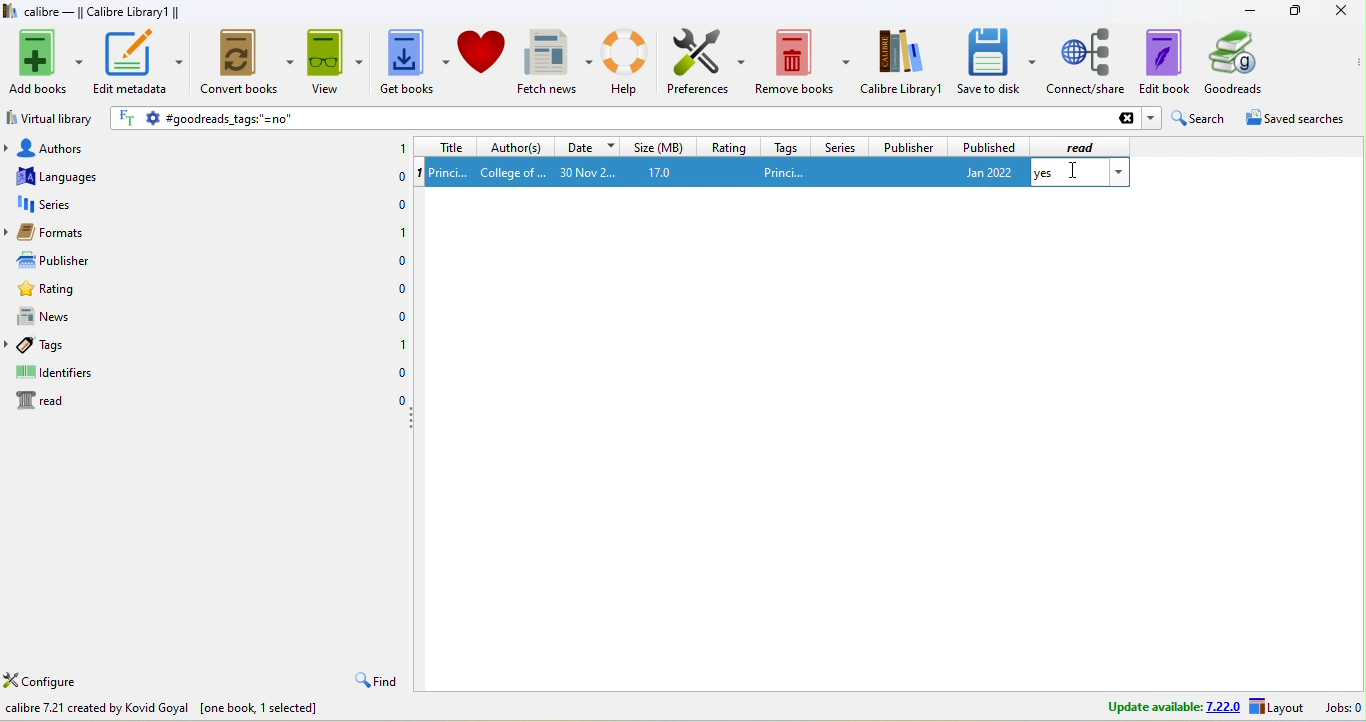 This screenshot has width=1366, height=722. What do you see at coordinates (402, 232) in the screenshot?
I see `1` at bounding box center [402, 232].